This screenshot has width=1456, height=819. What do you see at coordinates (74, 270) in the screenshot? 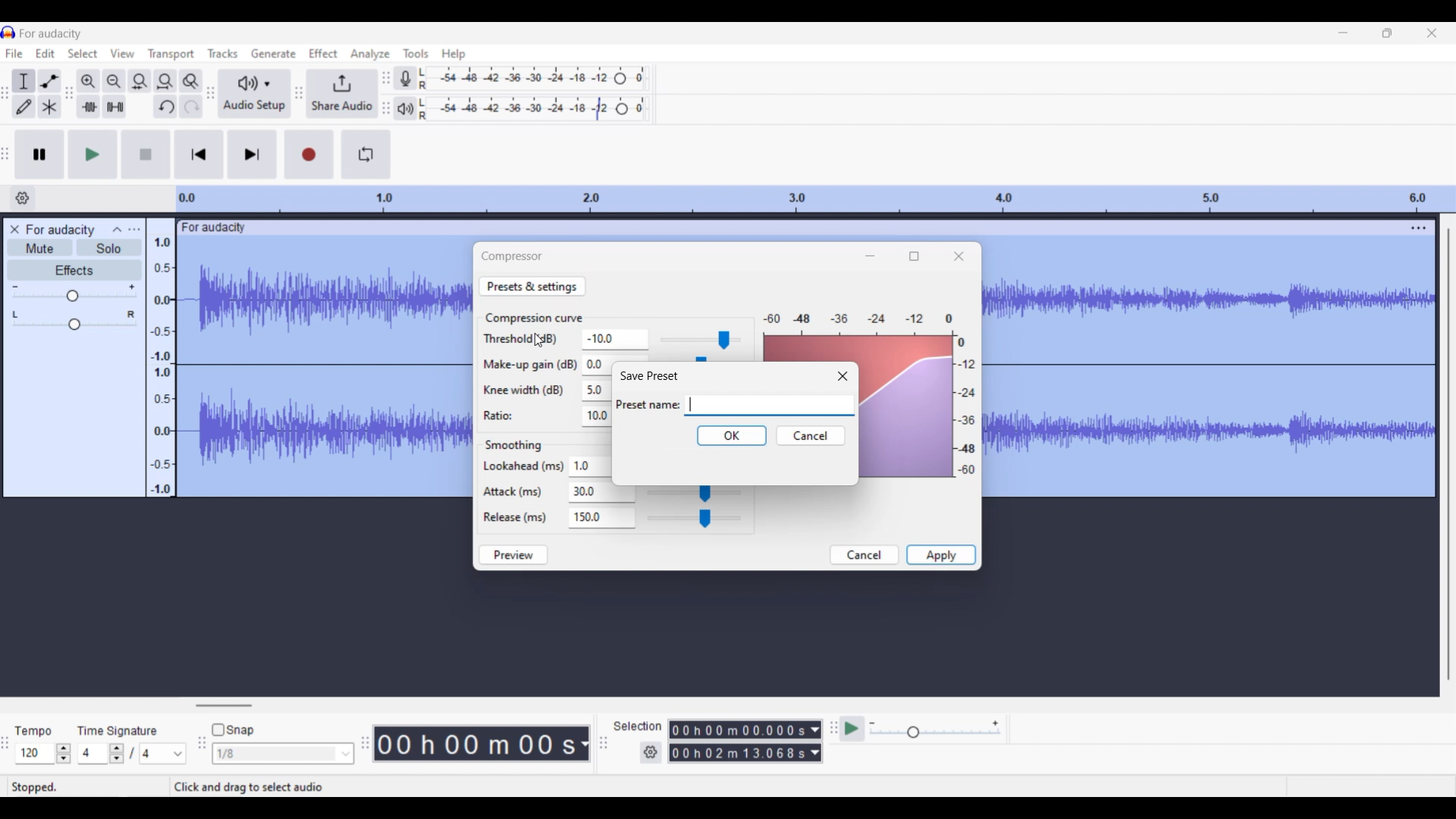
I see `Effects` at bounding box center [74, 270].